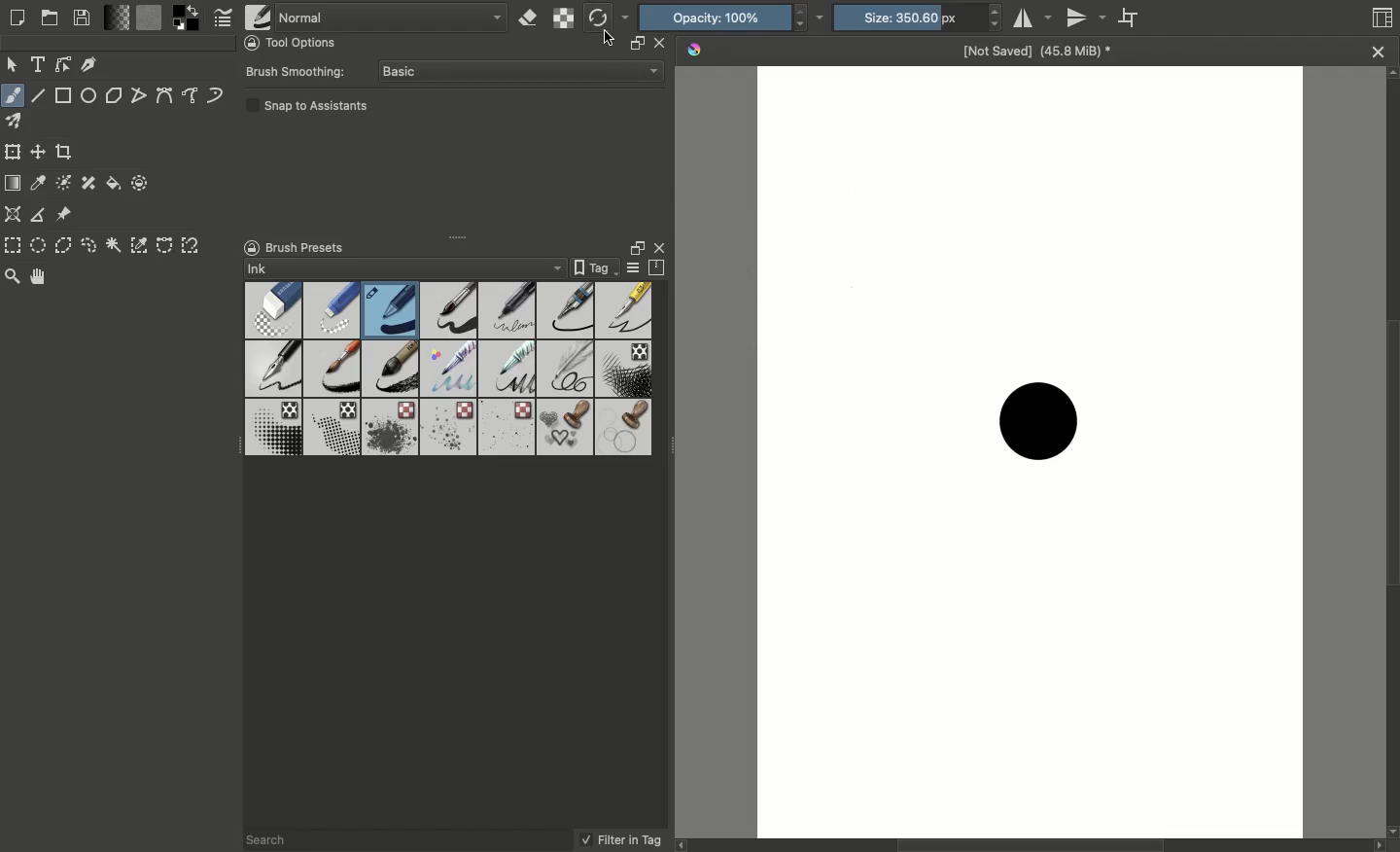 The image size is (1400, 852). Describe the element at coordinates (258, 18) in the screenshot. I see `Choose brush preset` at that location.